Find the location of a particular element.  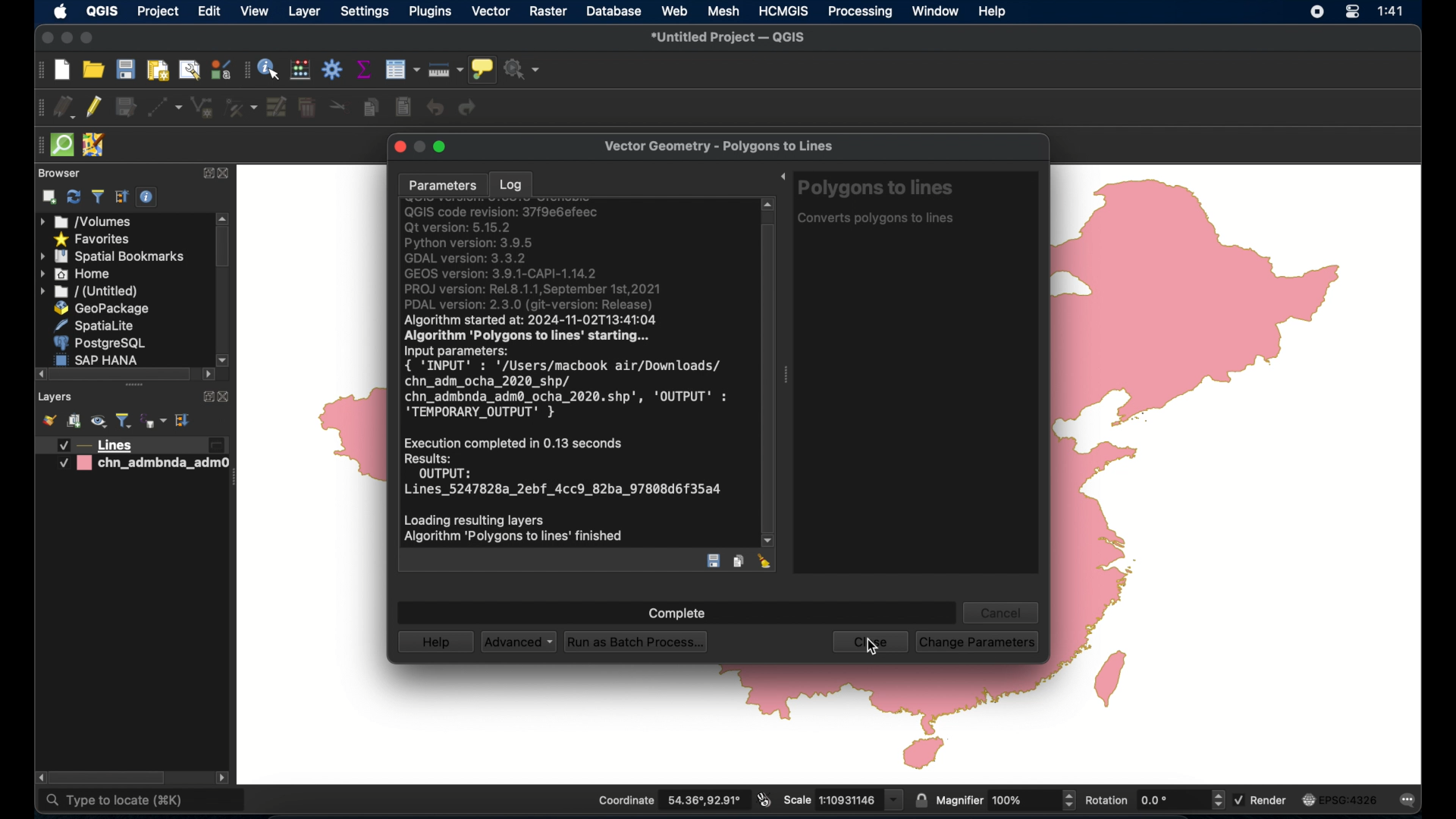

edit is located at coordinates (206, 11).